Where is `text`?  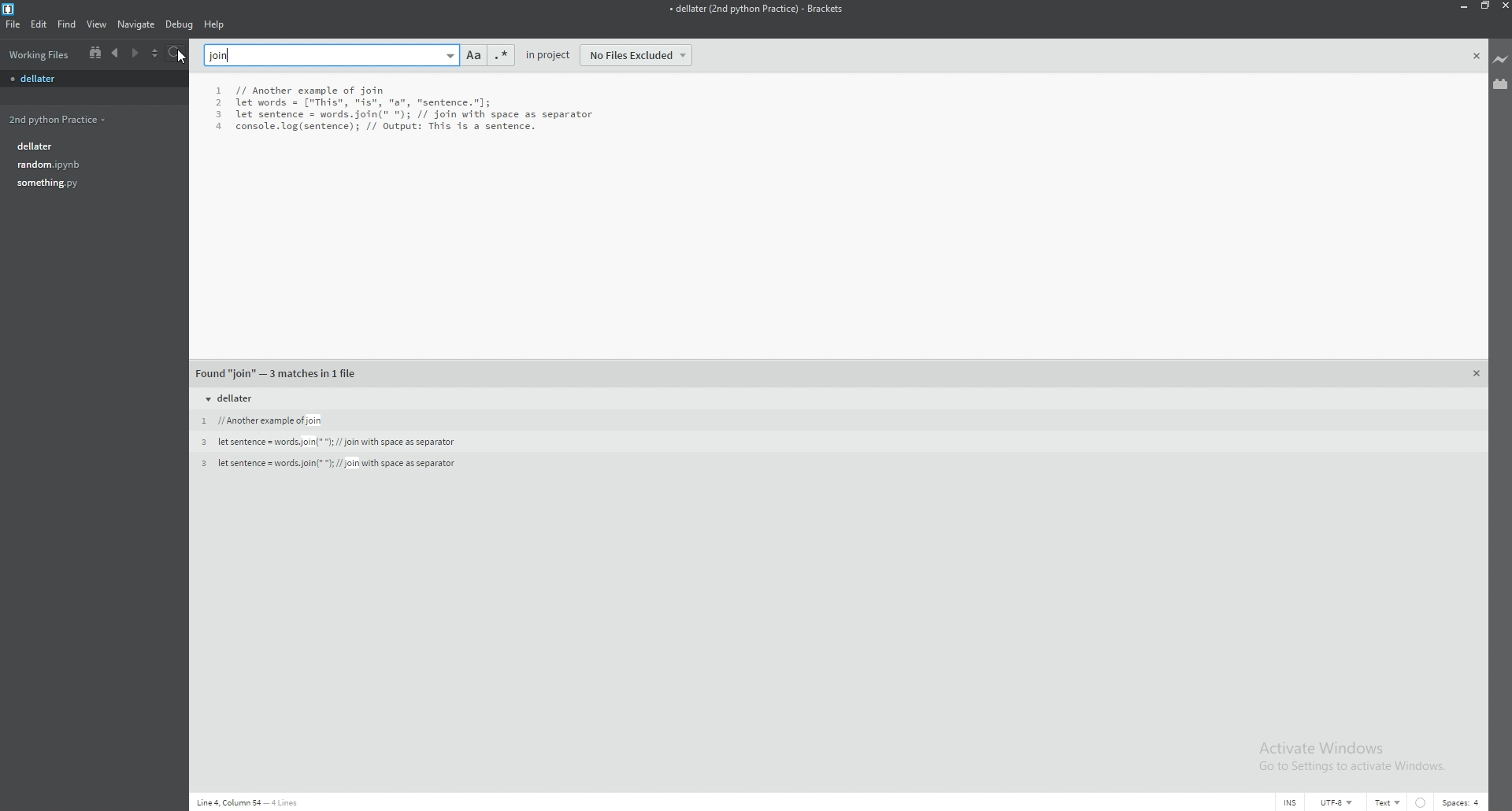 text is located at coordinates (1390, 799).